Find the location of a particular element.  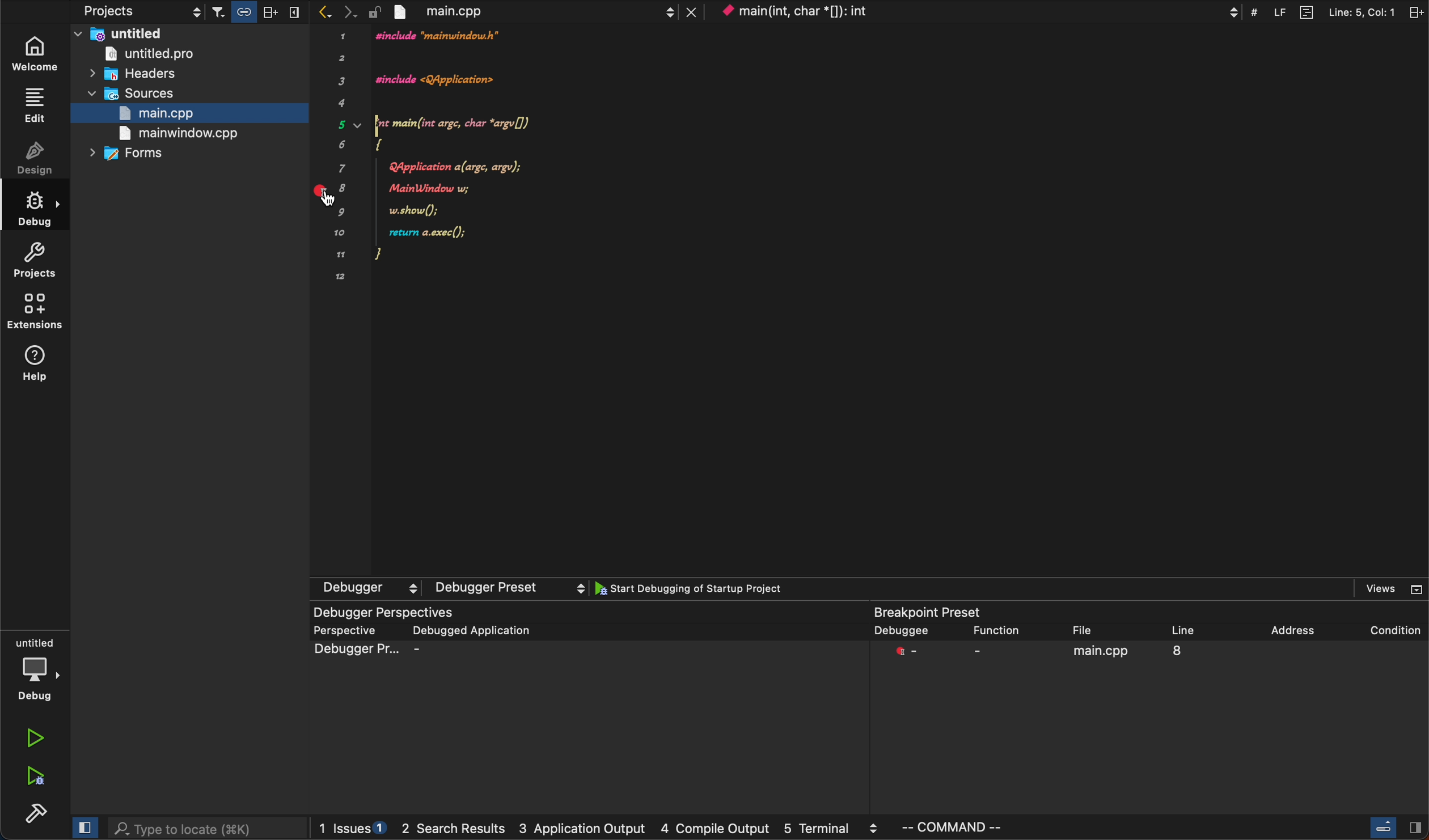

debugger is located at coordinates (902, 631).